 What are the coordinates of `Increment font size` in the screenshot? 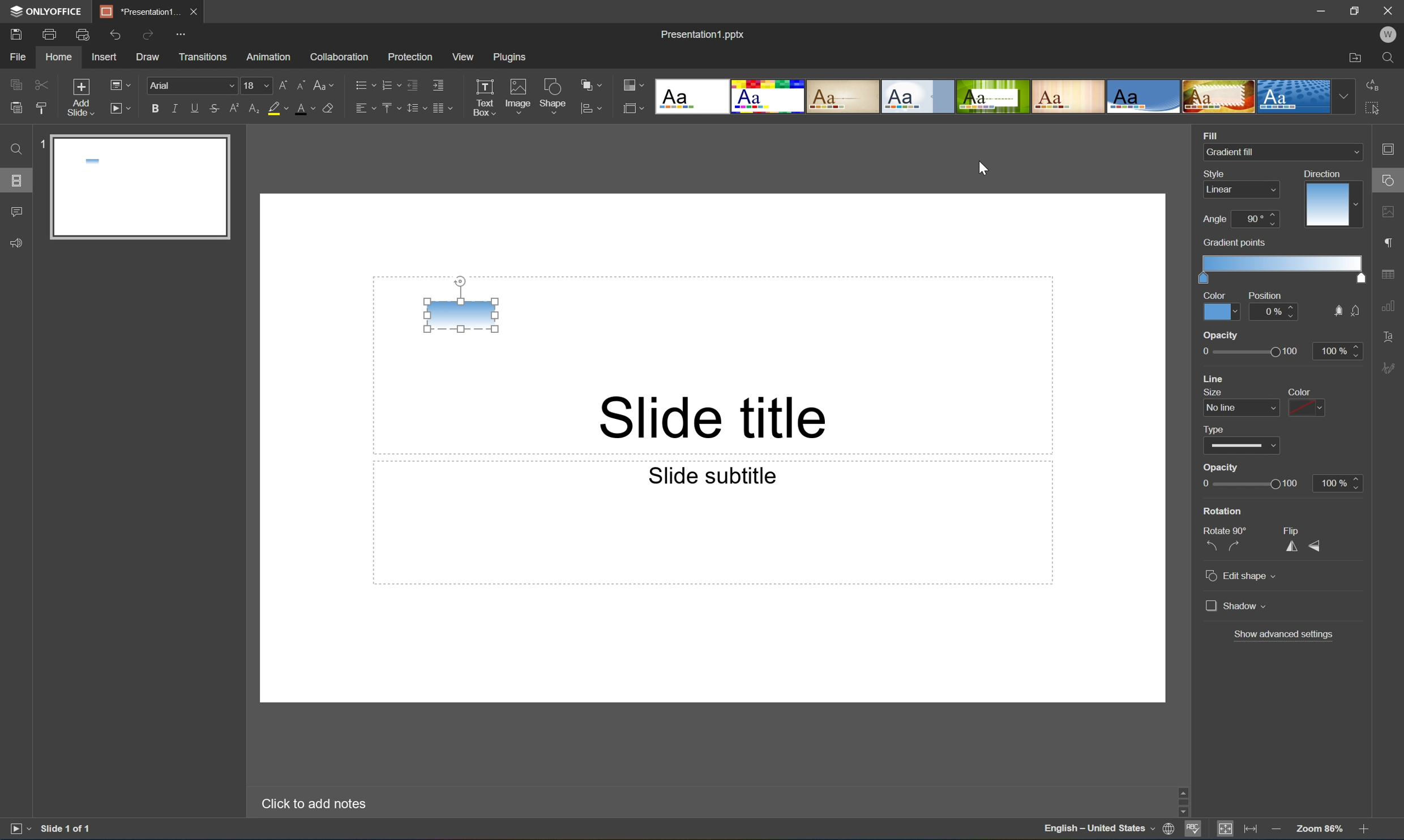 It's located at (280, 83).